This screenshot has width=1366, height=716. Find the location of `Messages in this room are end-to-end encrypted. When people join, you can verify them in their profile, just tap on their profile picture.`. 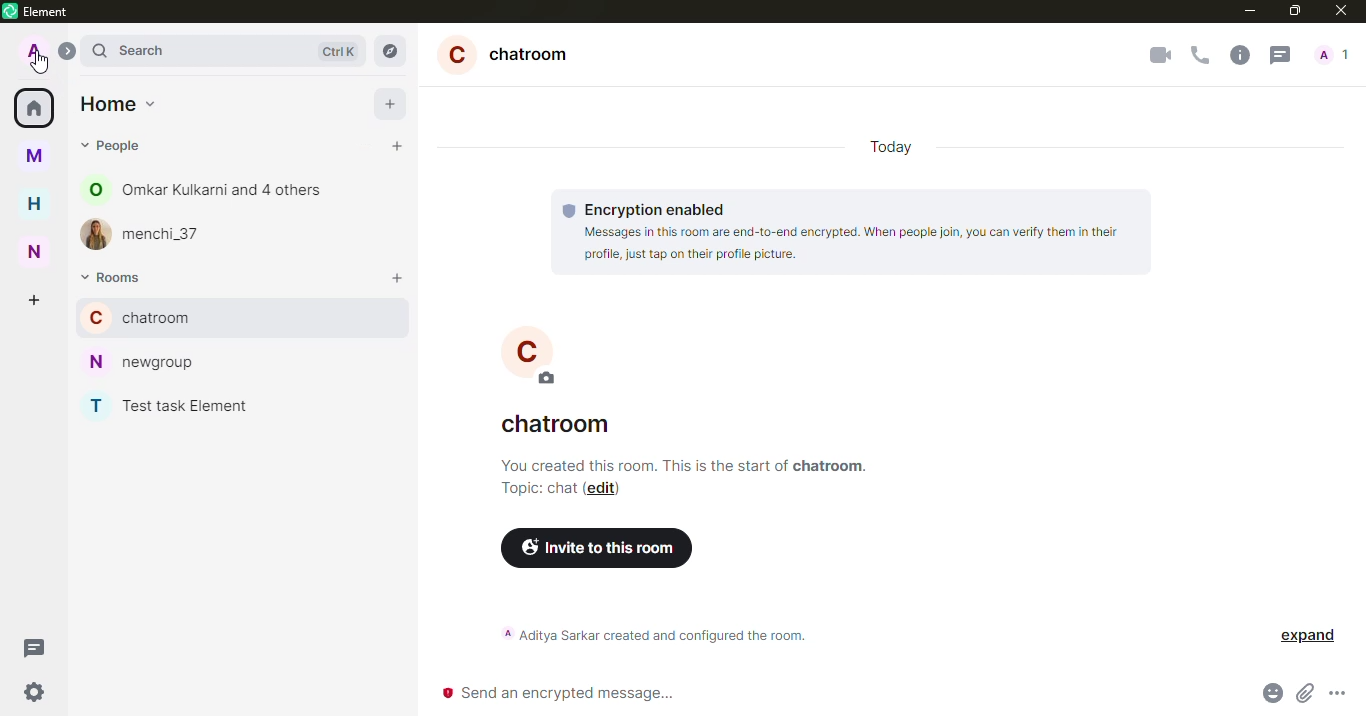

Messages in this room are end-to-end encrypted. When people join, you can verify them in their profile, just tap on their profile picture. is located at coordinates (855, 243).